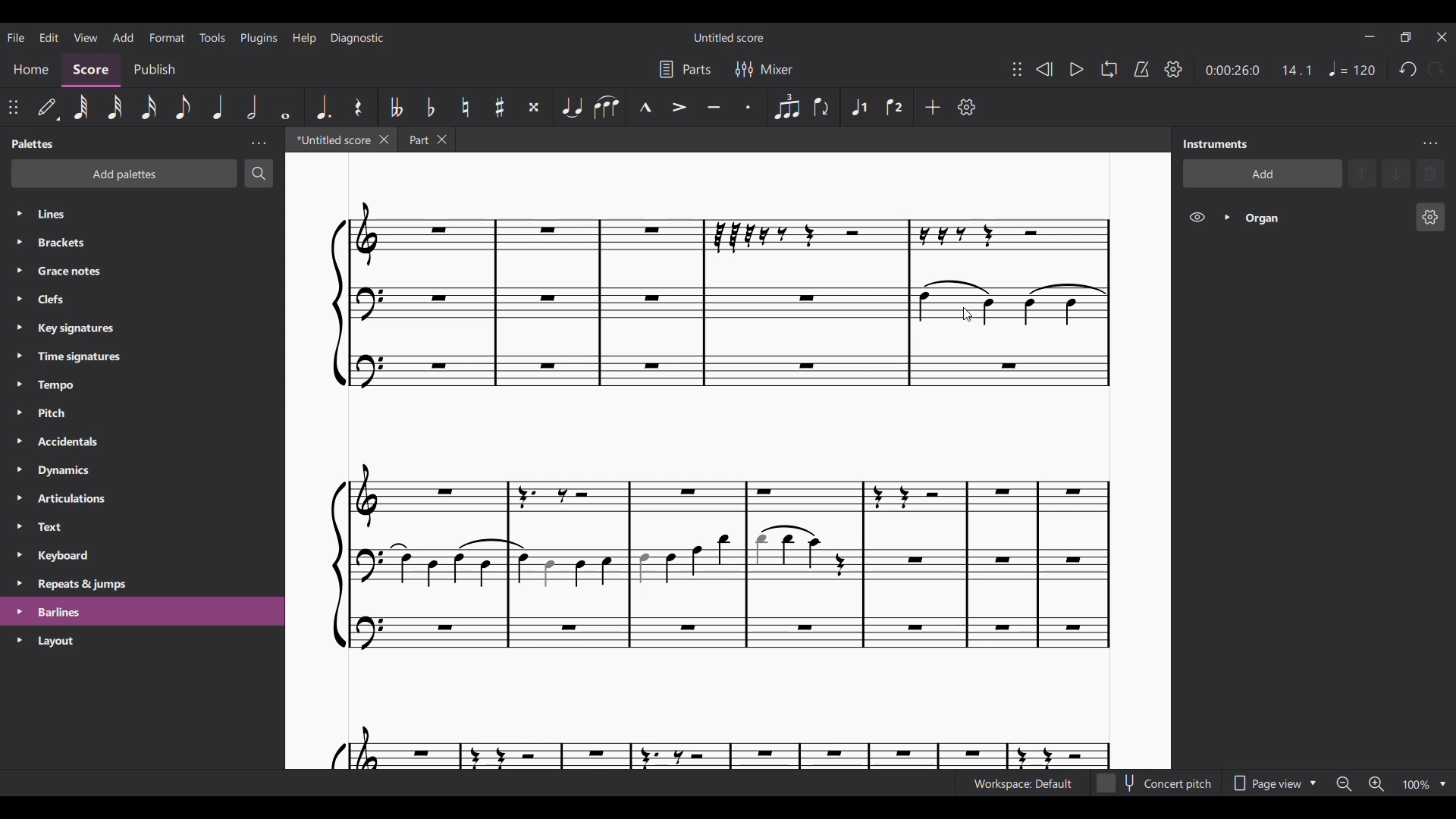  What do you see at coordinates (155, 71) in the screenshot?
I see `Publish section` at bounding box center [155, 71].